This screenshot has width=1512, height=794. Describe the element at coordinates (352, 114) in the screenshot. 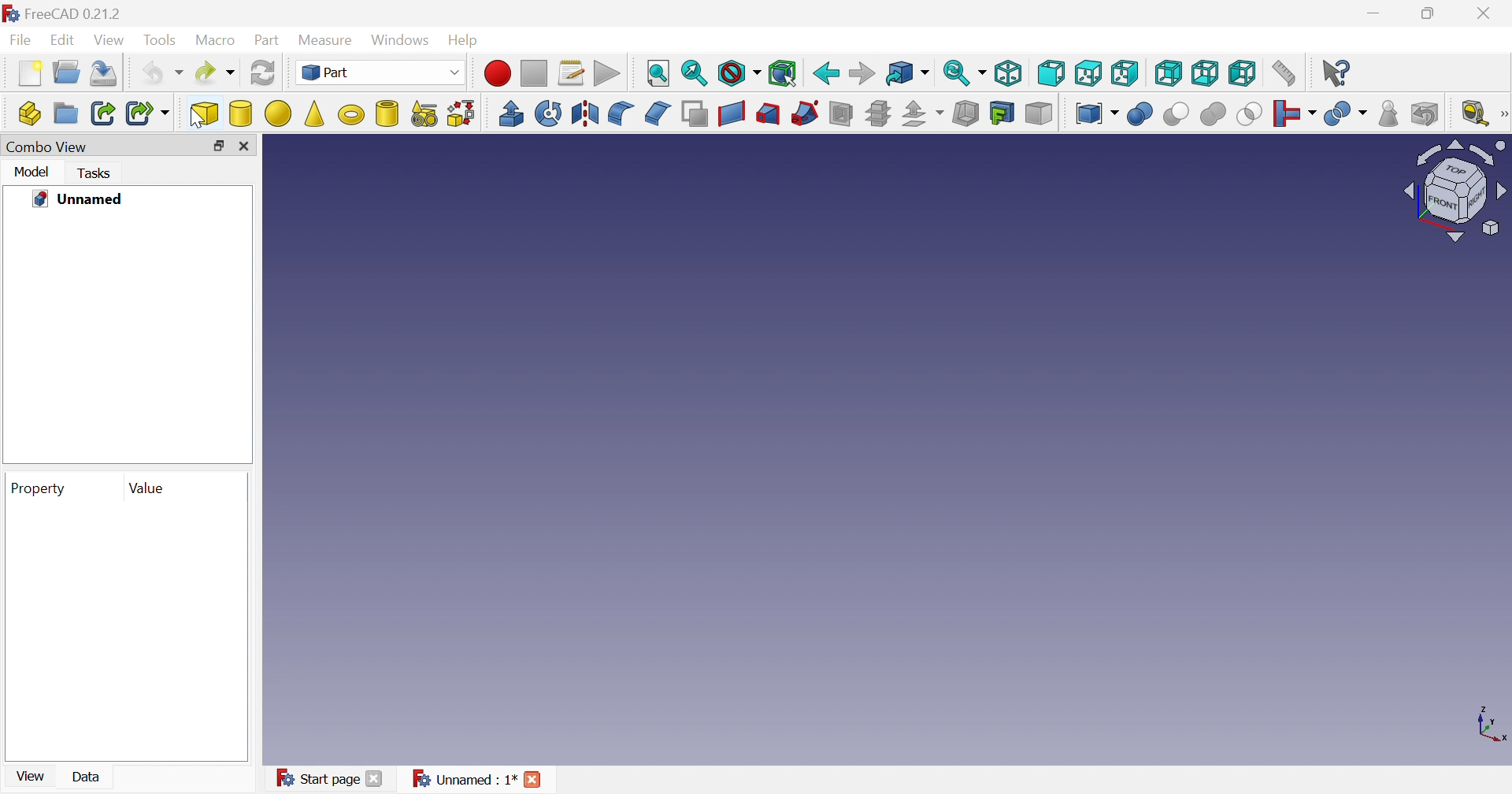

I see `Torus` at that location.